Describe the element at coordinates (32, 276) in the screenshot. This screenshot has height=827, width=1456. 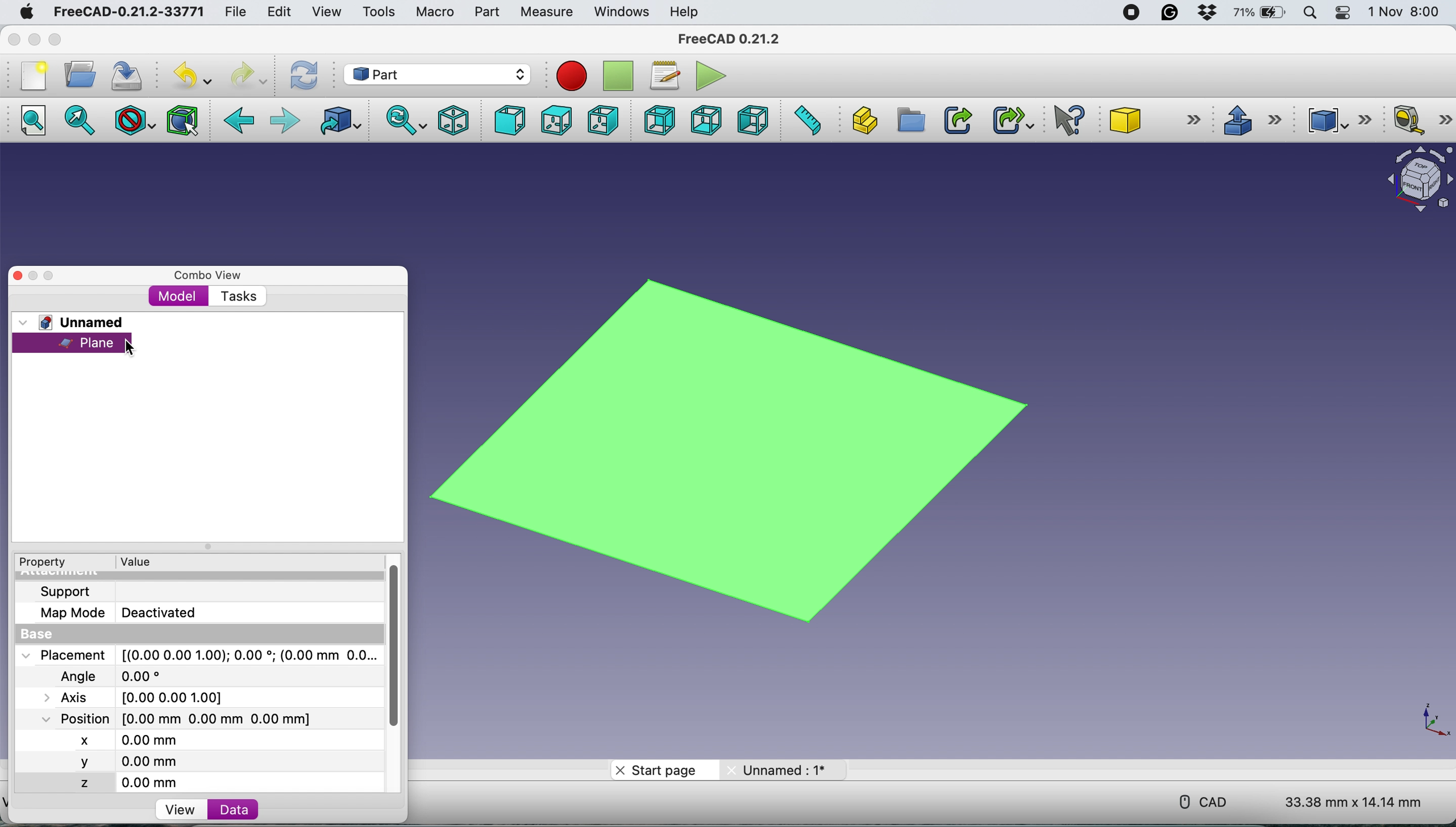
I see `minimise` at that location.